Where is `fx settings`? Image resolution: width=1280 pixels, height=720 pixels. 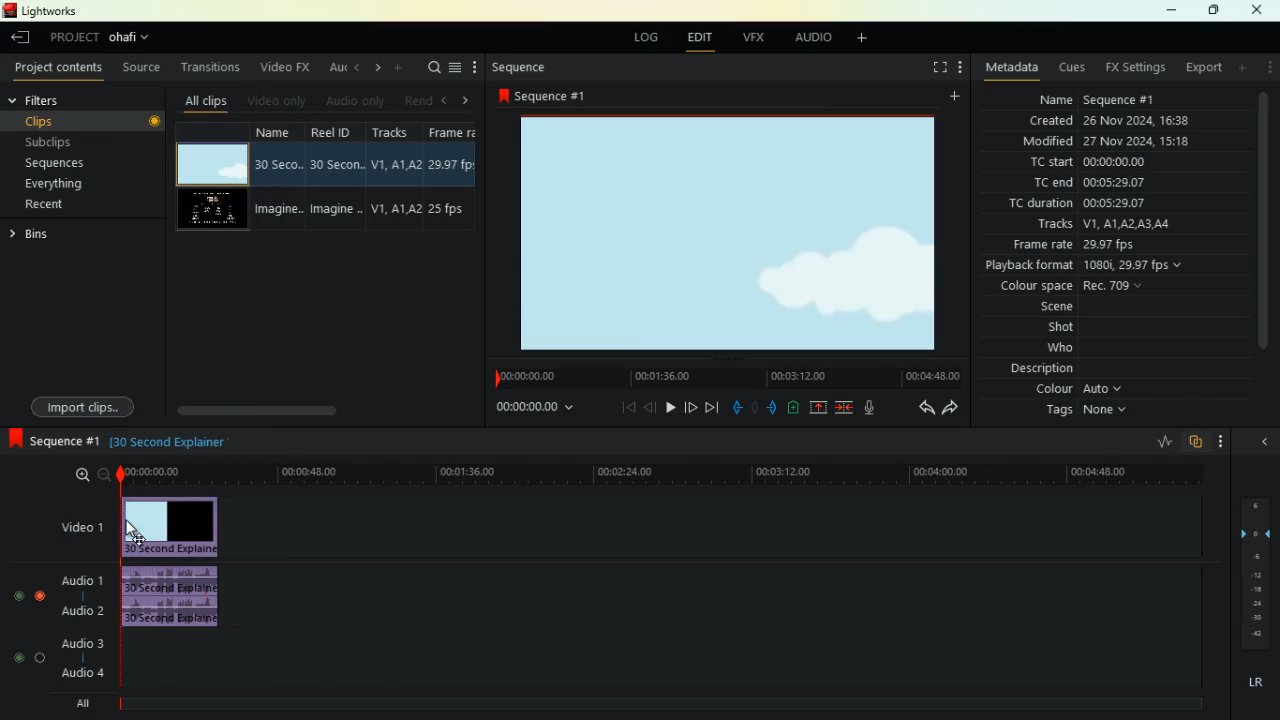 fx settings is located at coordinates (1134, 68).